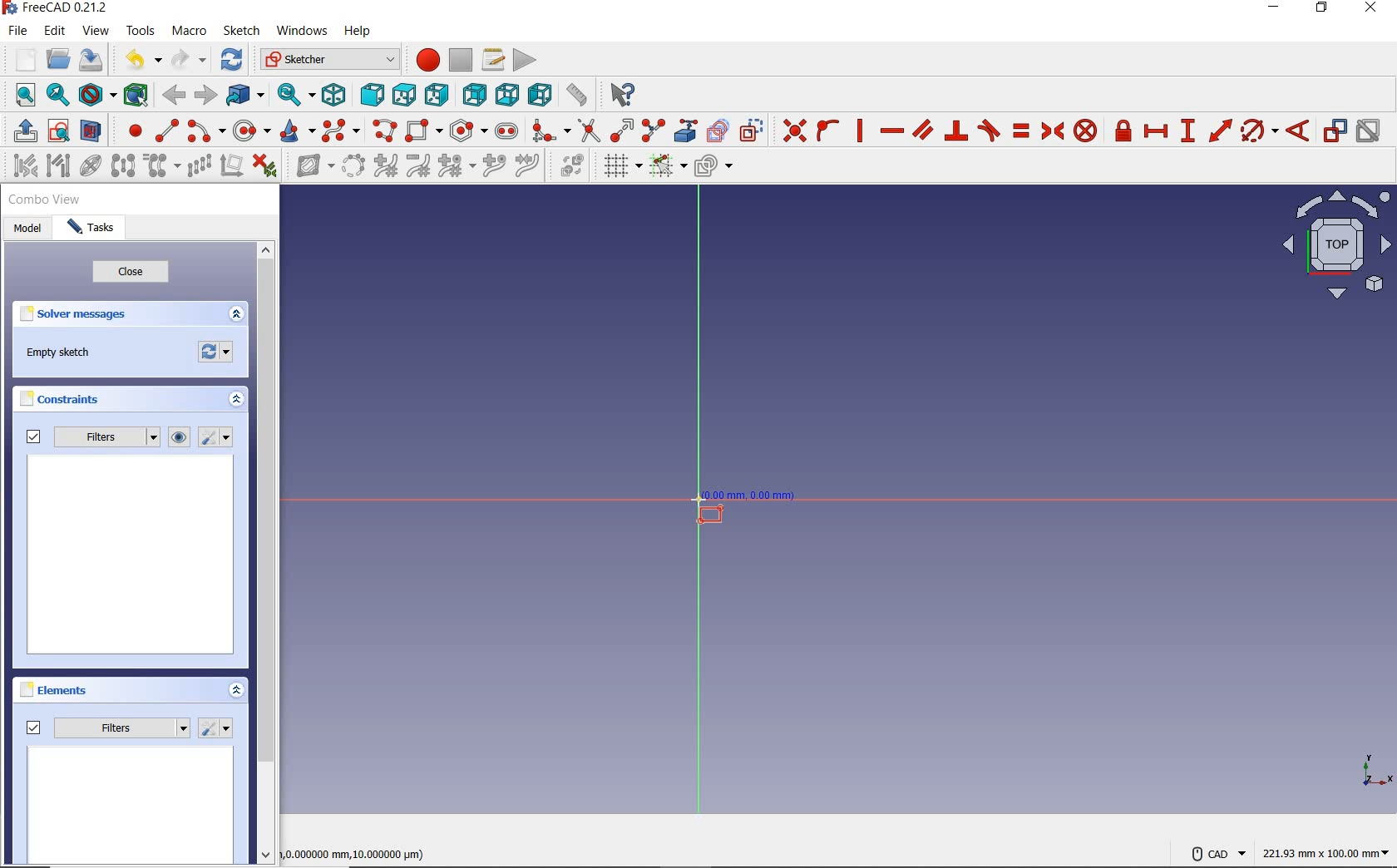 Image resolution: width=1397 pixels, height=868 pixels. Describe the element at coordinates (1020, 131) in the screenshot. I see `constrain equal` at that location.